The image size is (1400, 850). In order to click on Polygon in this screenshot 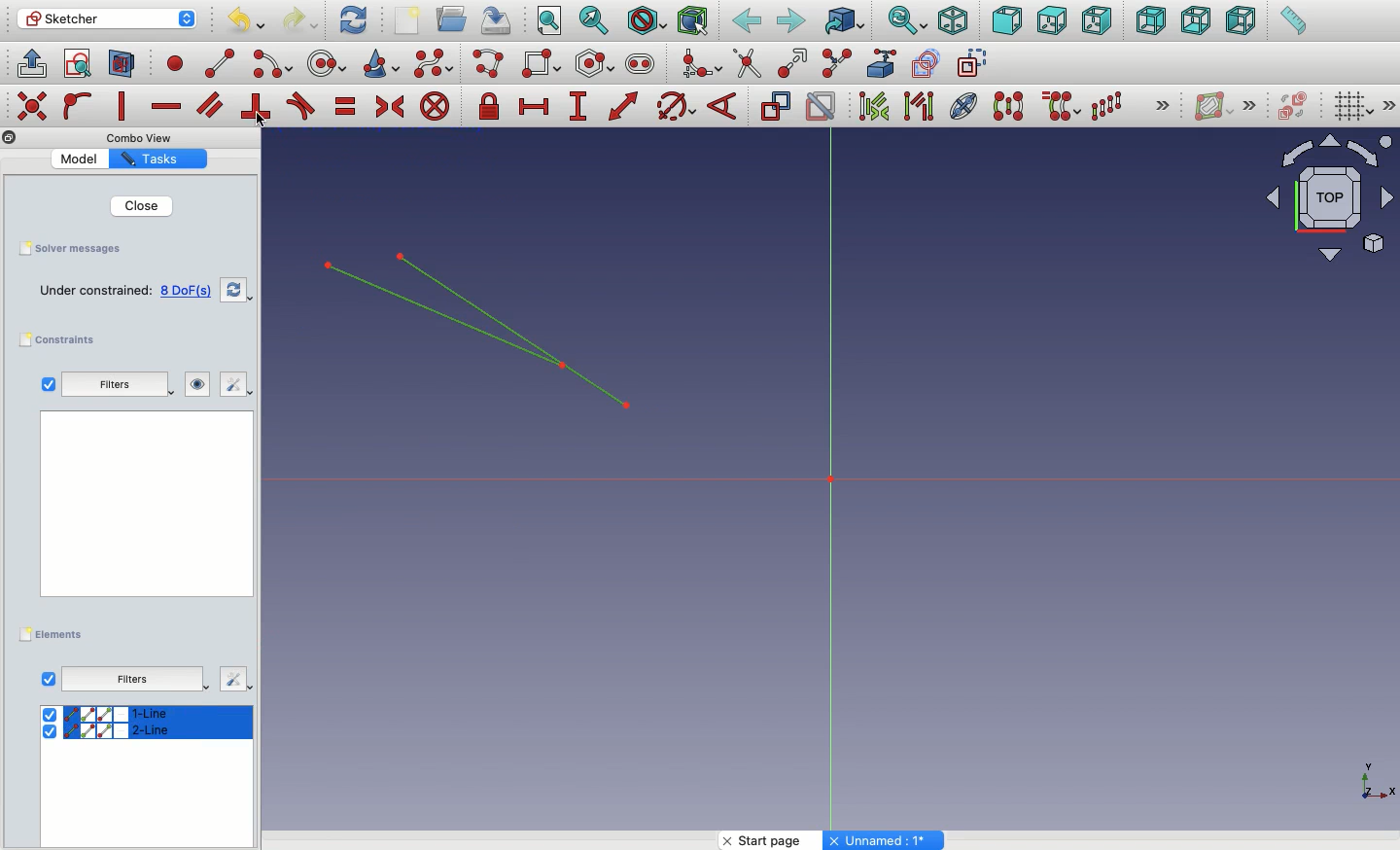, I will do `click(596, 64)`.